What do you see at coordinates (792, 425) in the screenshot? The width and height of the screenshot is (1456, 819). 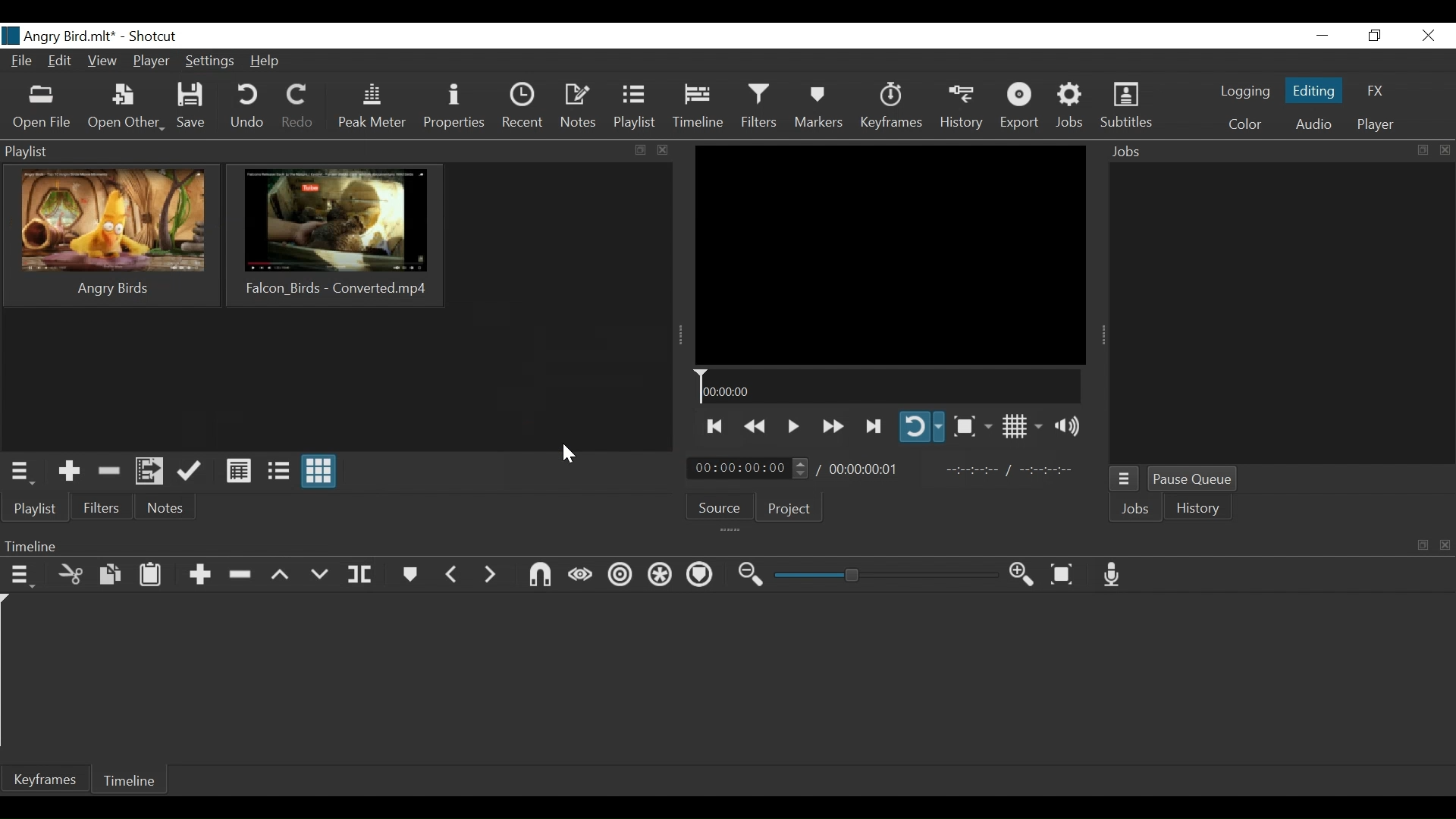 I see `Toggle play or pause (space)` at bounding box center [792, 425].